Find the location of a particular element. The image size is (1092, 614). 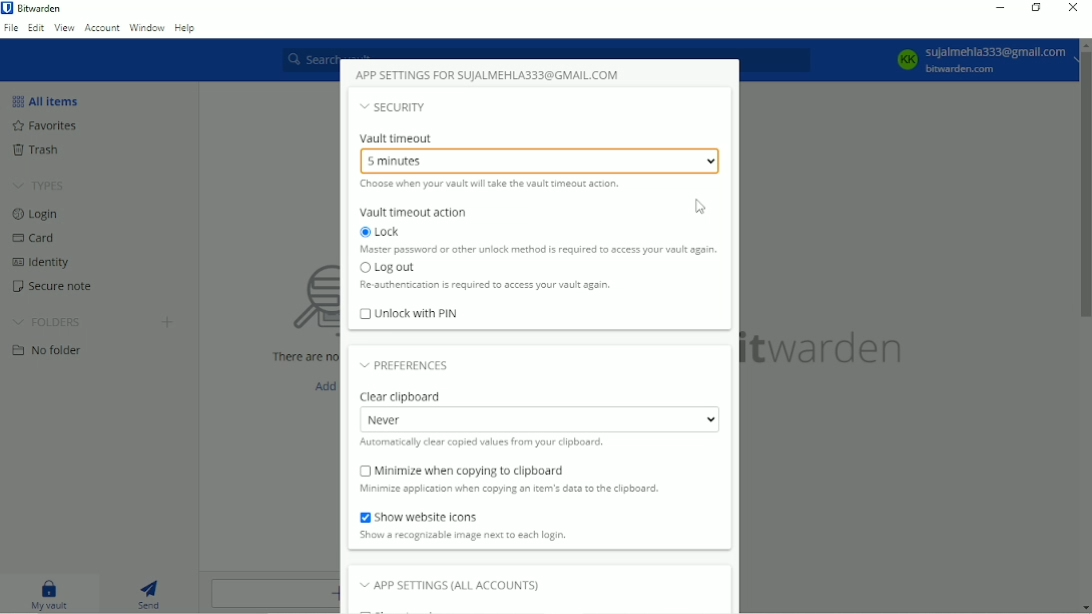

Never is located at coordinates (542, 420).